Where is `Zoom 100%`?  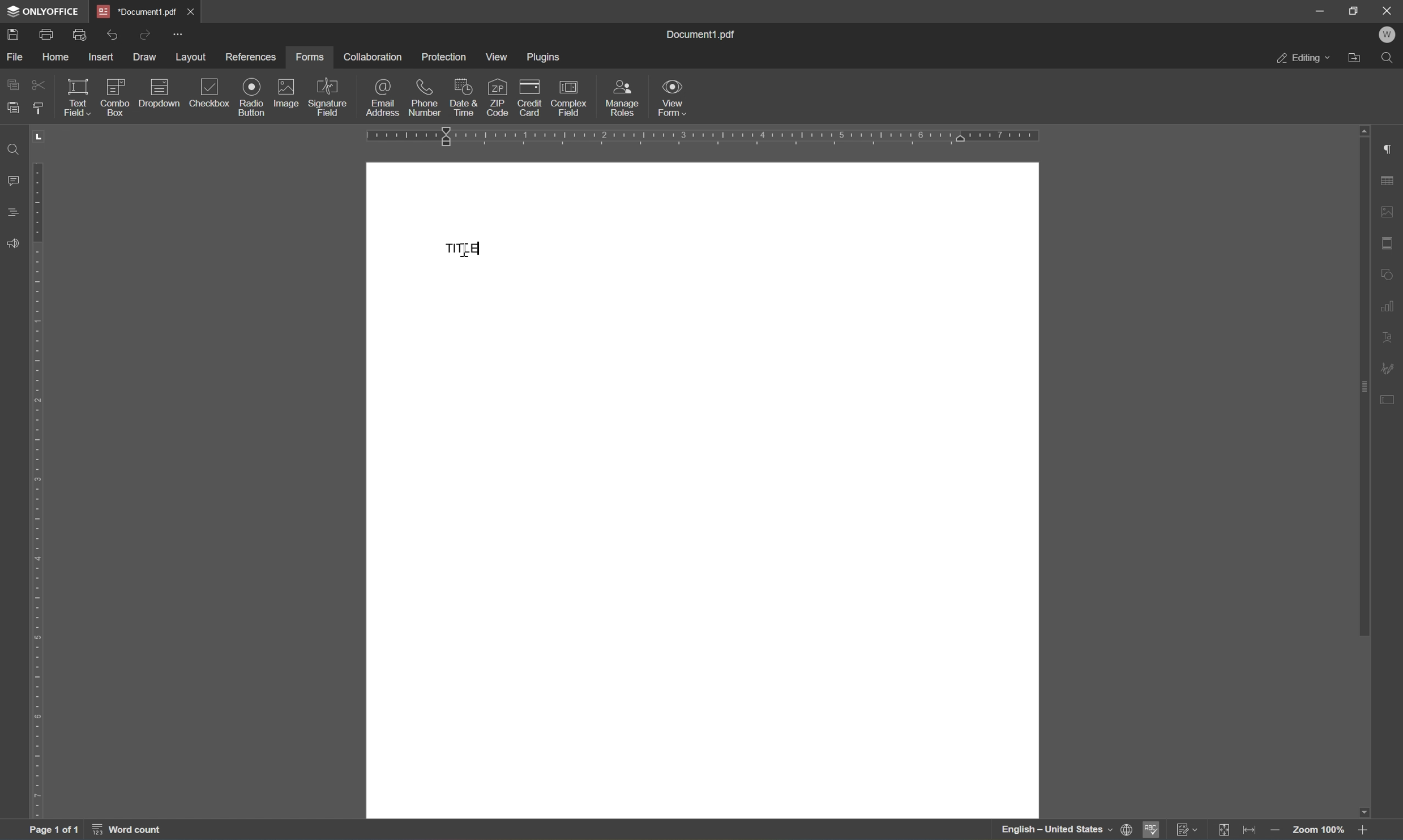 Zoom 100% is located at coordinates (1320, 831).